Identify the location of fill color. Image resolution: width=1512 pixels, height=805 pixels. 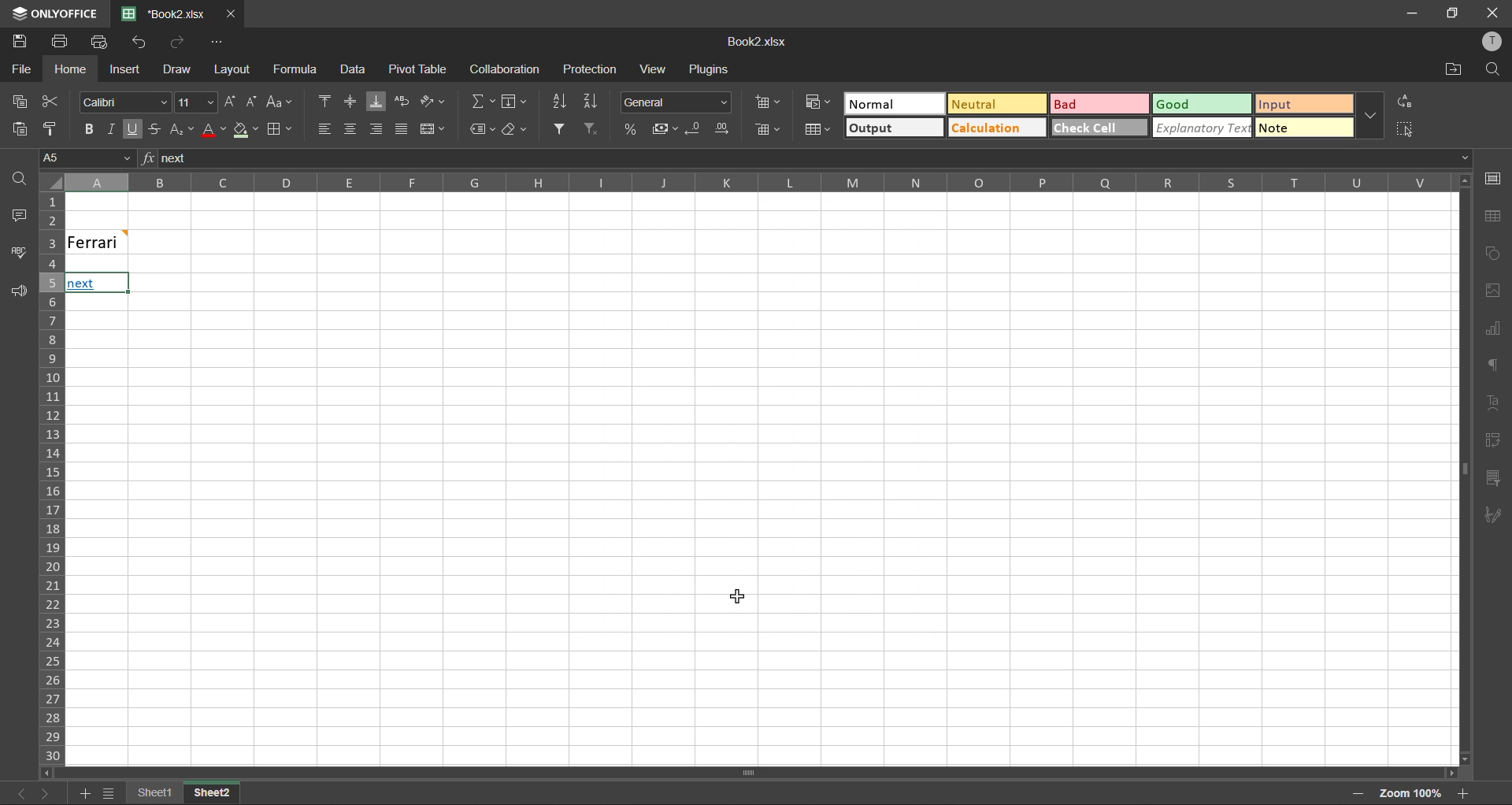
(243, 134).